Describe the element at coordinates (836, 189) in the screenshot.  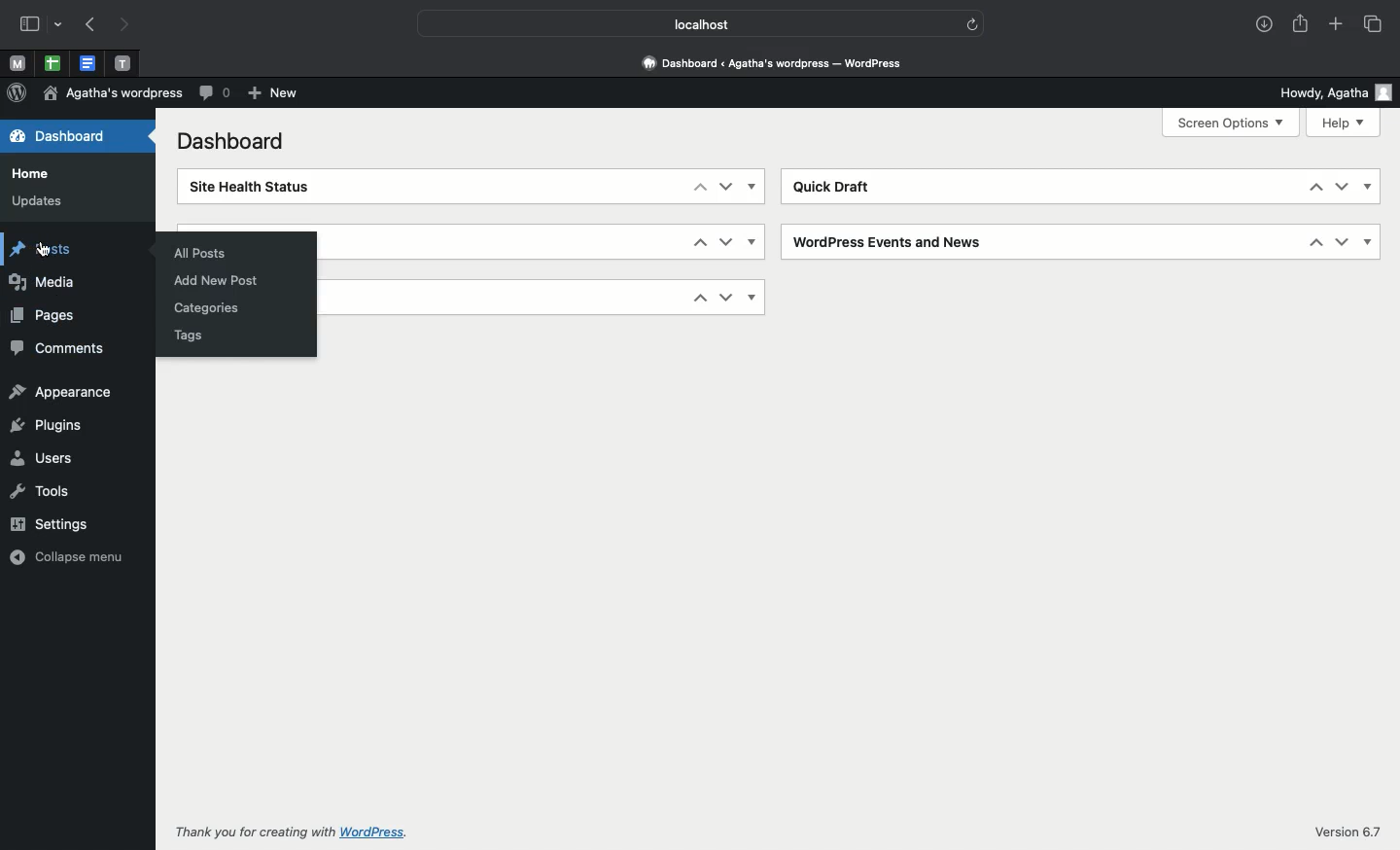
I see `Quick draft` at that location.